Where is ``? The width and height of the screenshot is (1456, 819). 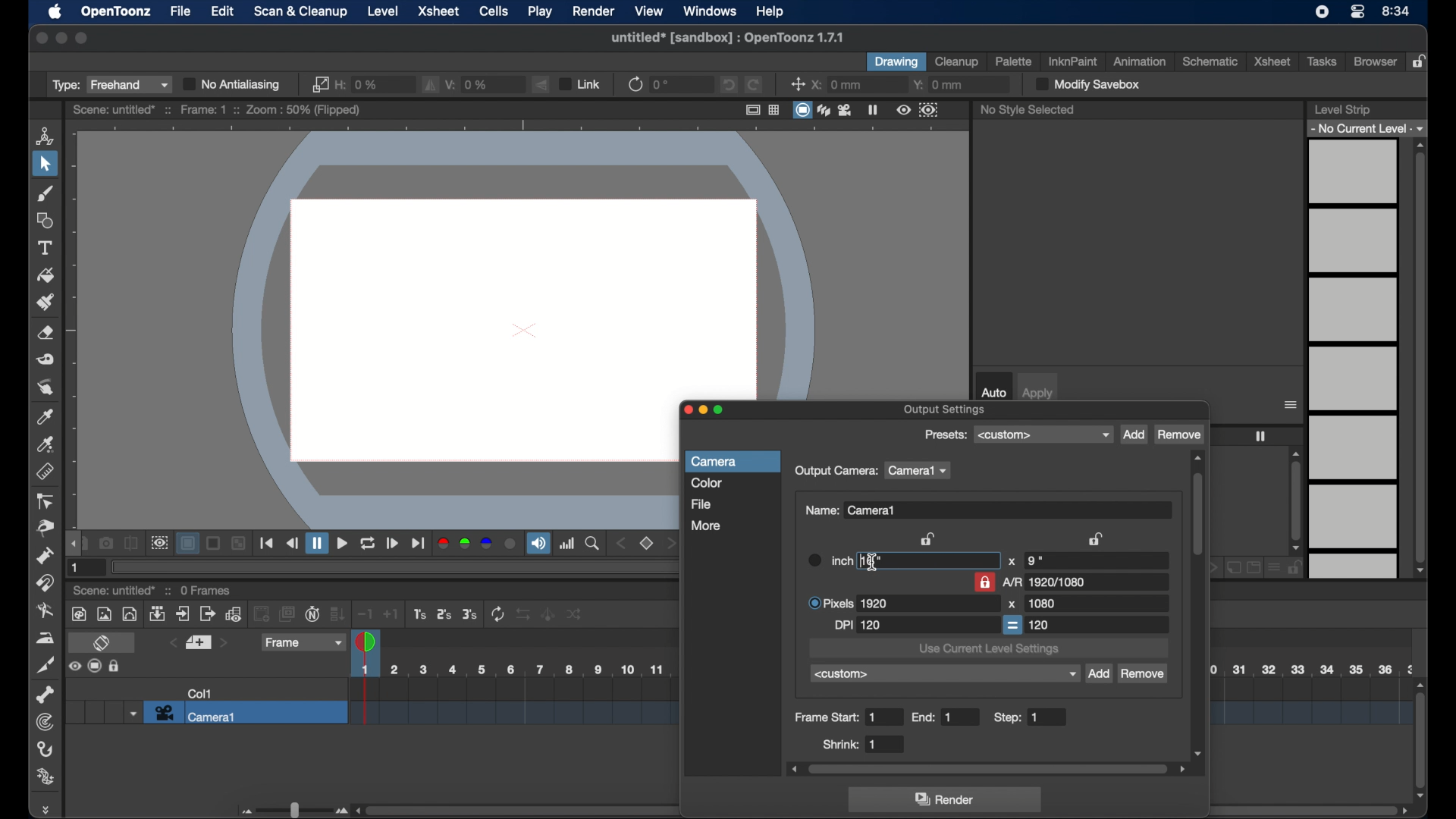  is located at coordinates (79, 613).